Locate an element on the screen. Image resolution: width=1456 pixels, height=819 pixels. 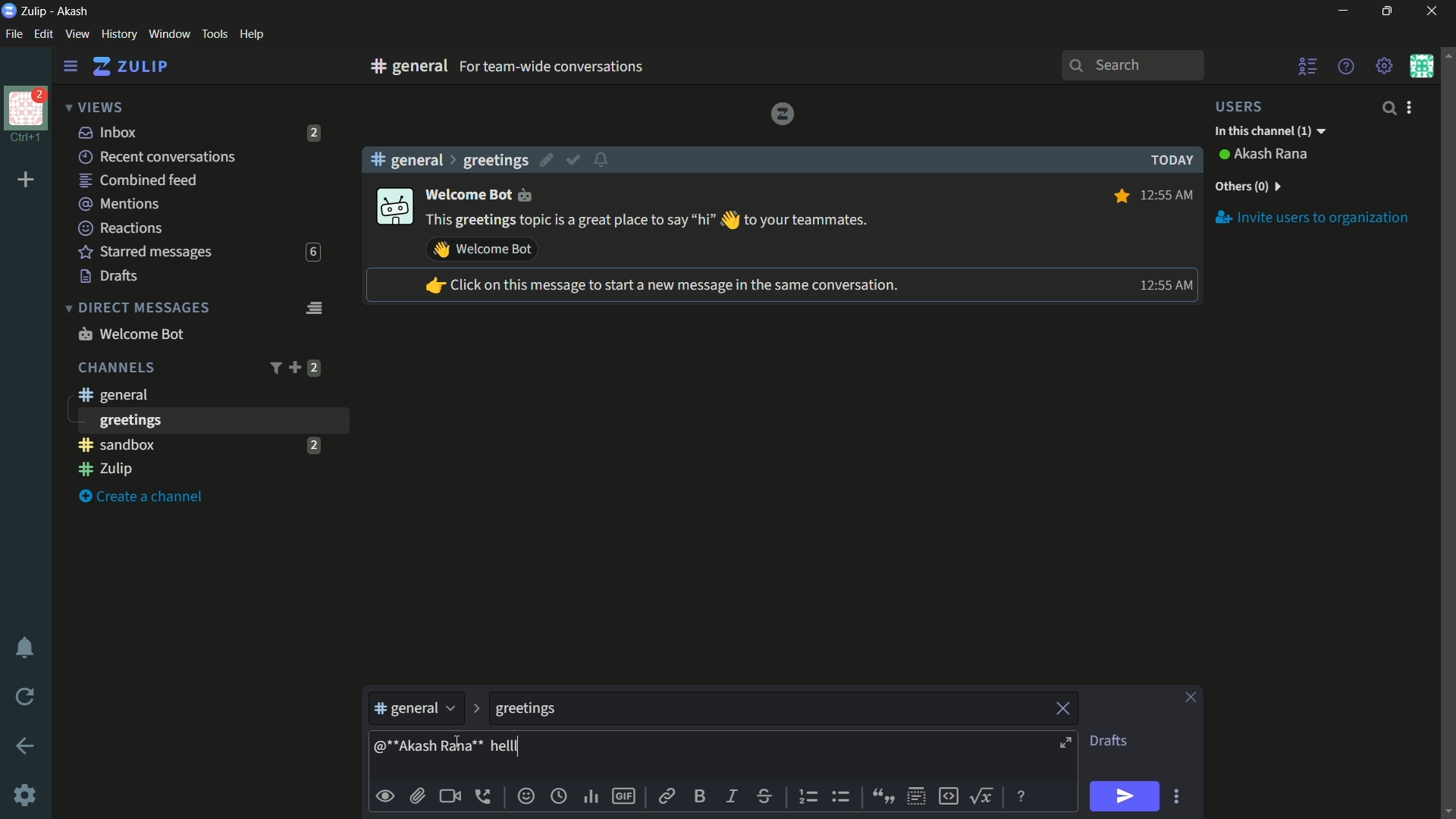
others (0) is located at coordinates (1247, 187).